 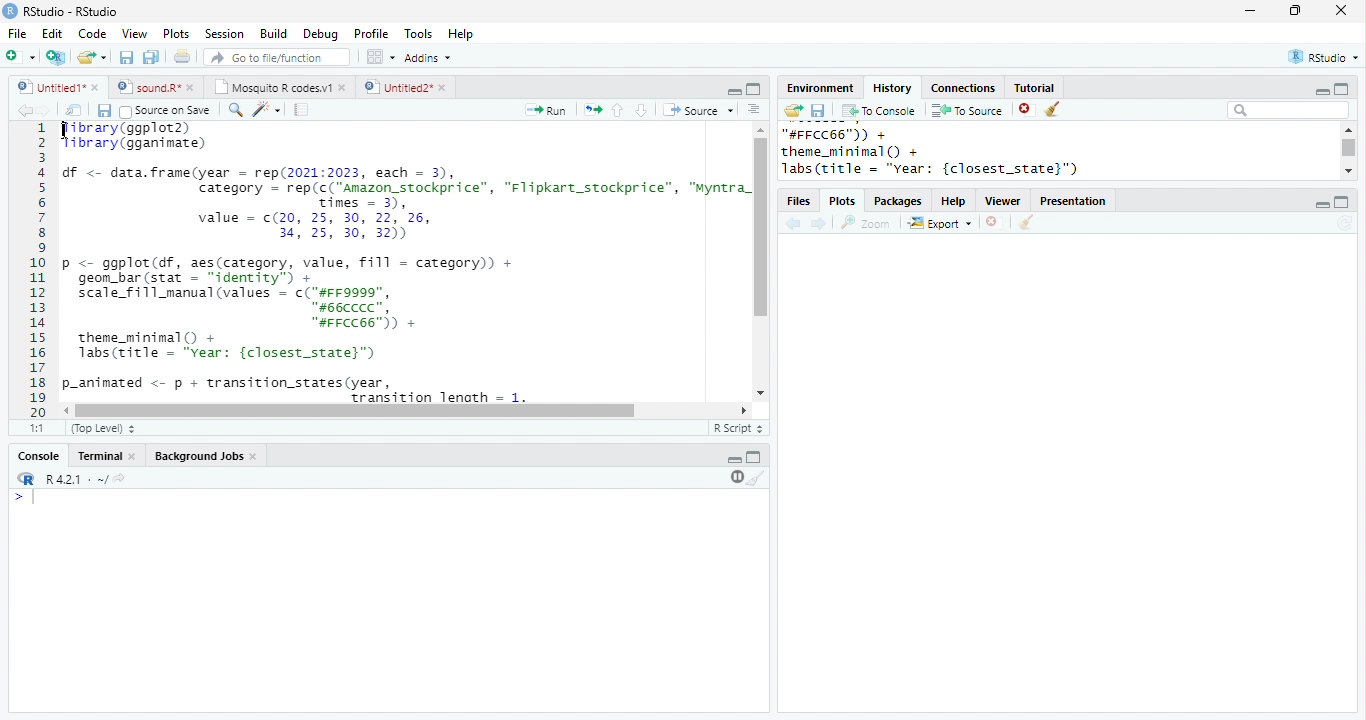 I want to click on Debug, so click(x=321, y=35).